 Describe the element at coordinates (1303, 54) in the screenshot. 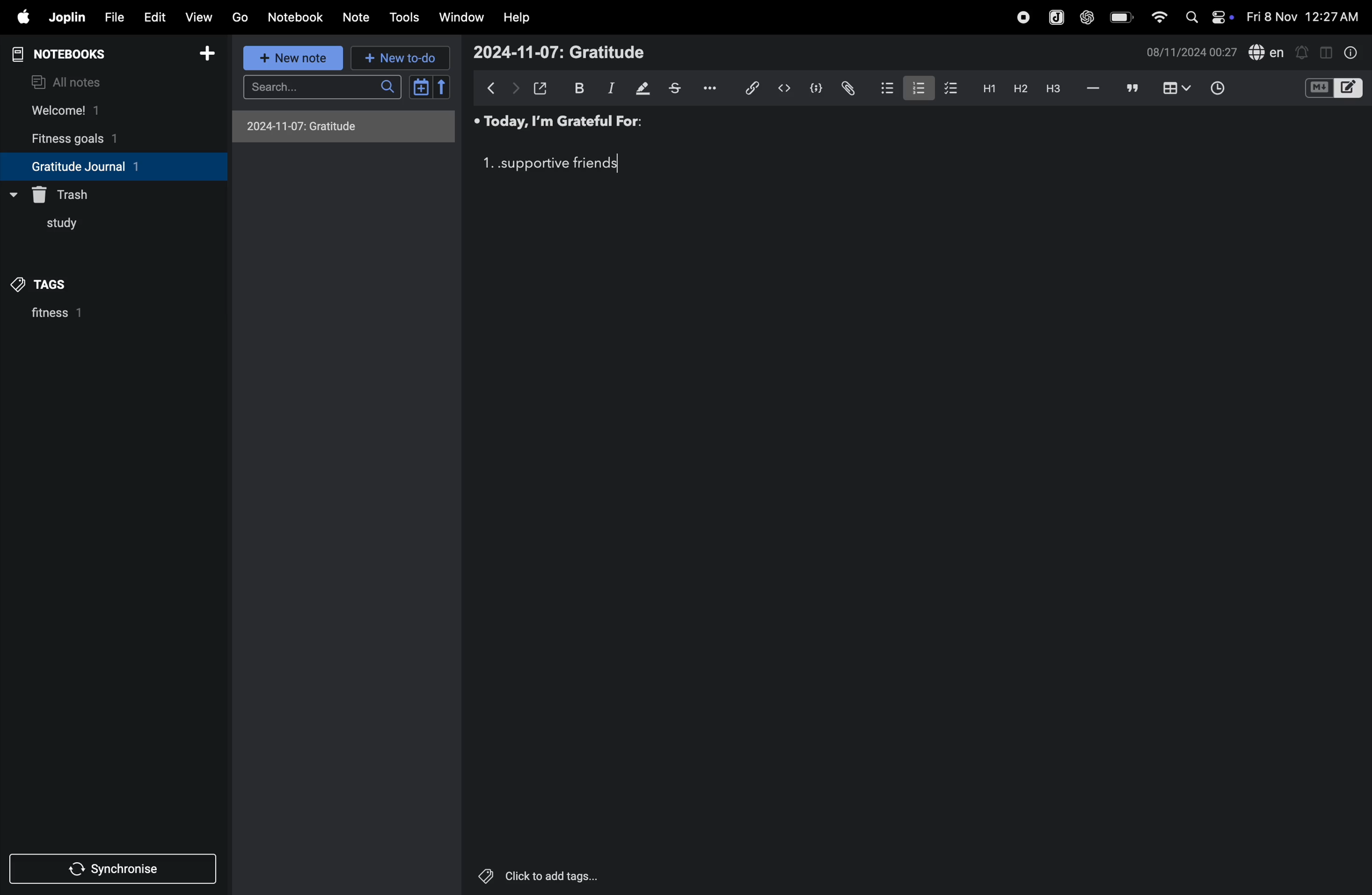

I see `create alert` at that location.